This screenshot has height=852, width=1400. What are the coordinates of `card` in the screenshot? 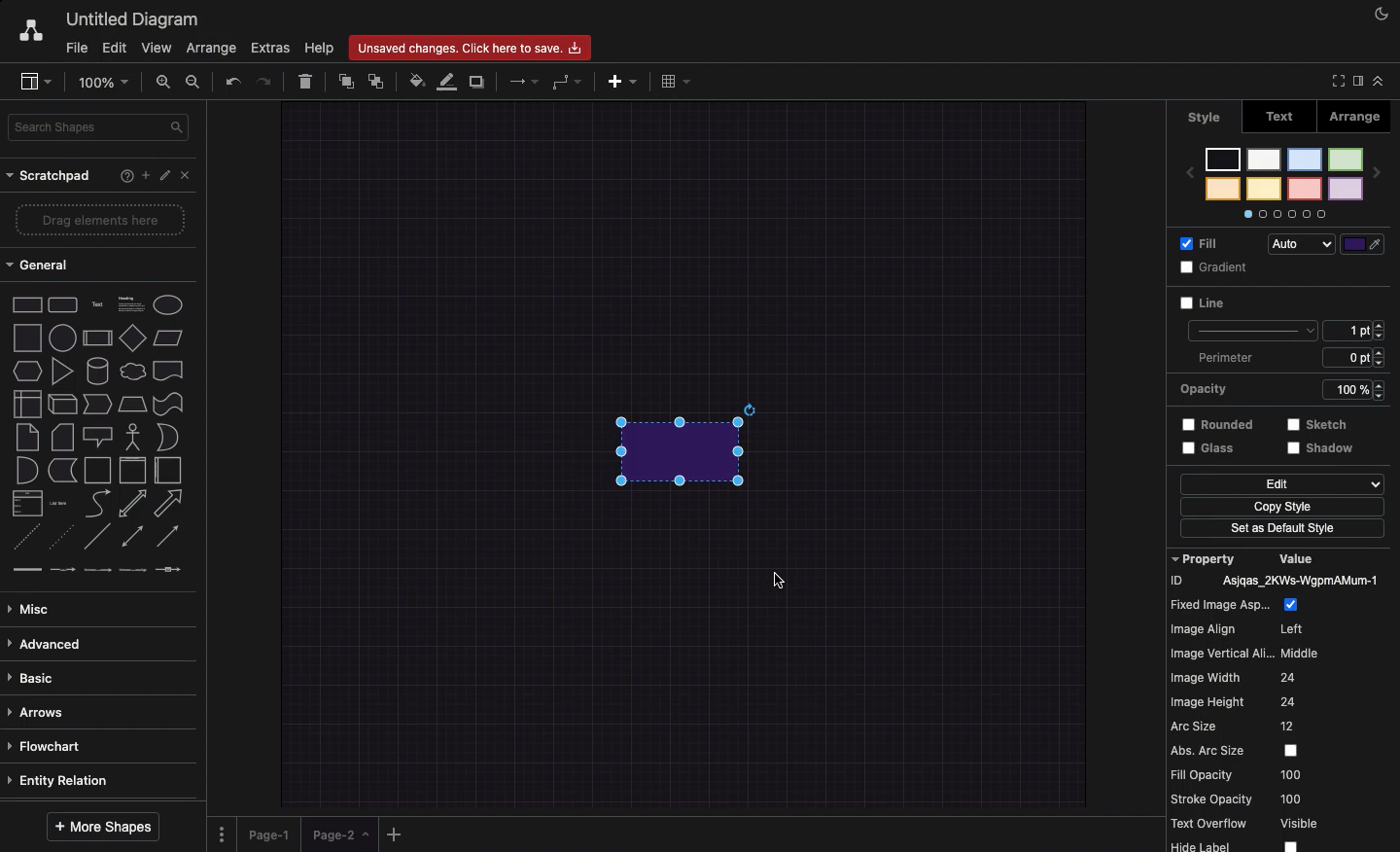 It's located at (61, 436).